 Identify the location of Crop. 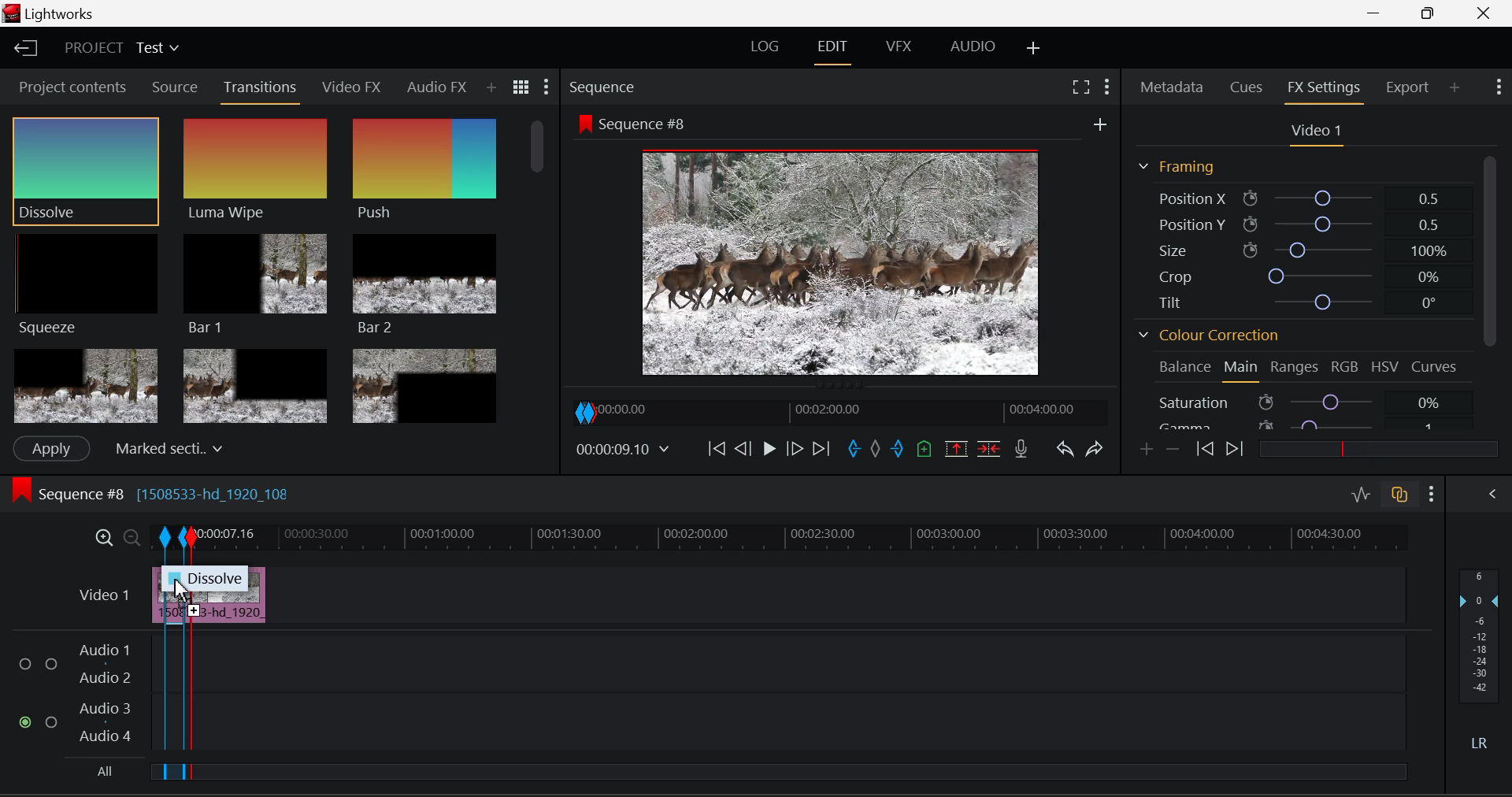
(1295, 273).